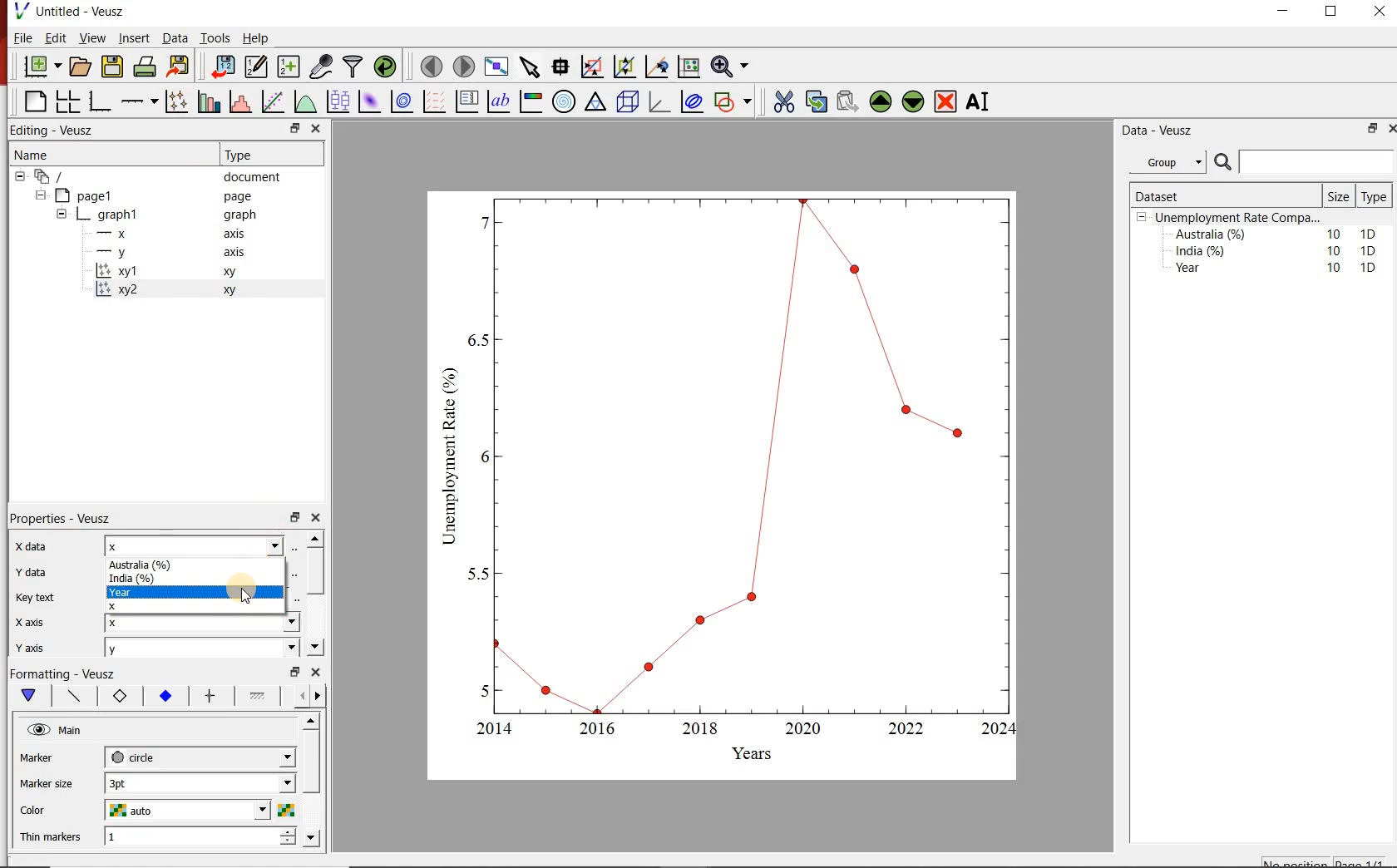 The height and width of the screenshot is (868, 1397). I want to click on Help, so click(256, 38).